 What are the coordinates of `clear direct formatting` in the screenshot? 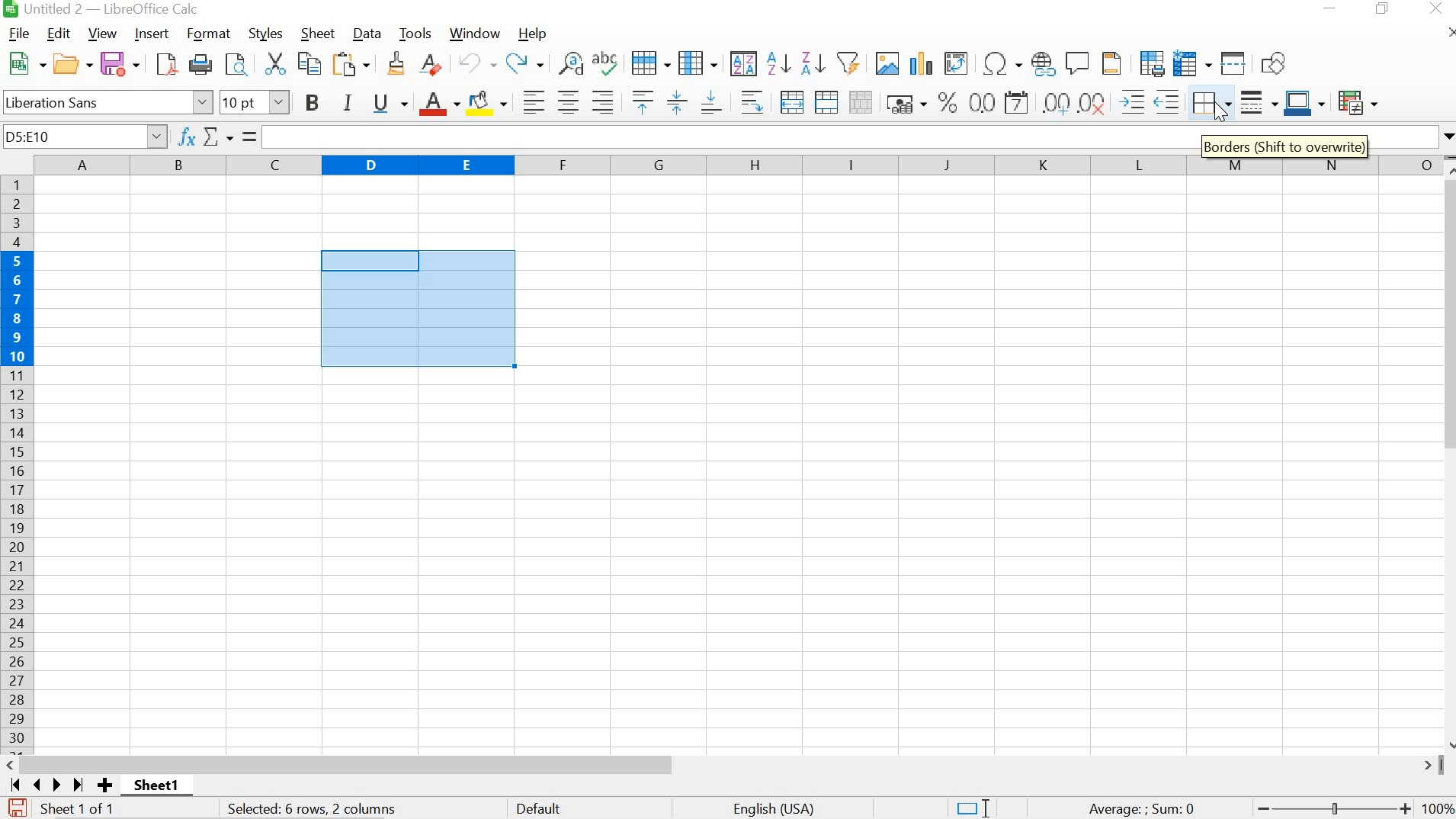 It's located at (432, 64).